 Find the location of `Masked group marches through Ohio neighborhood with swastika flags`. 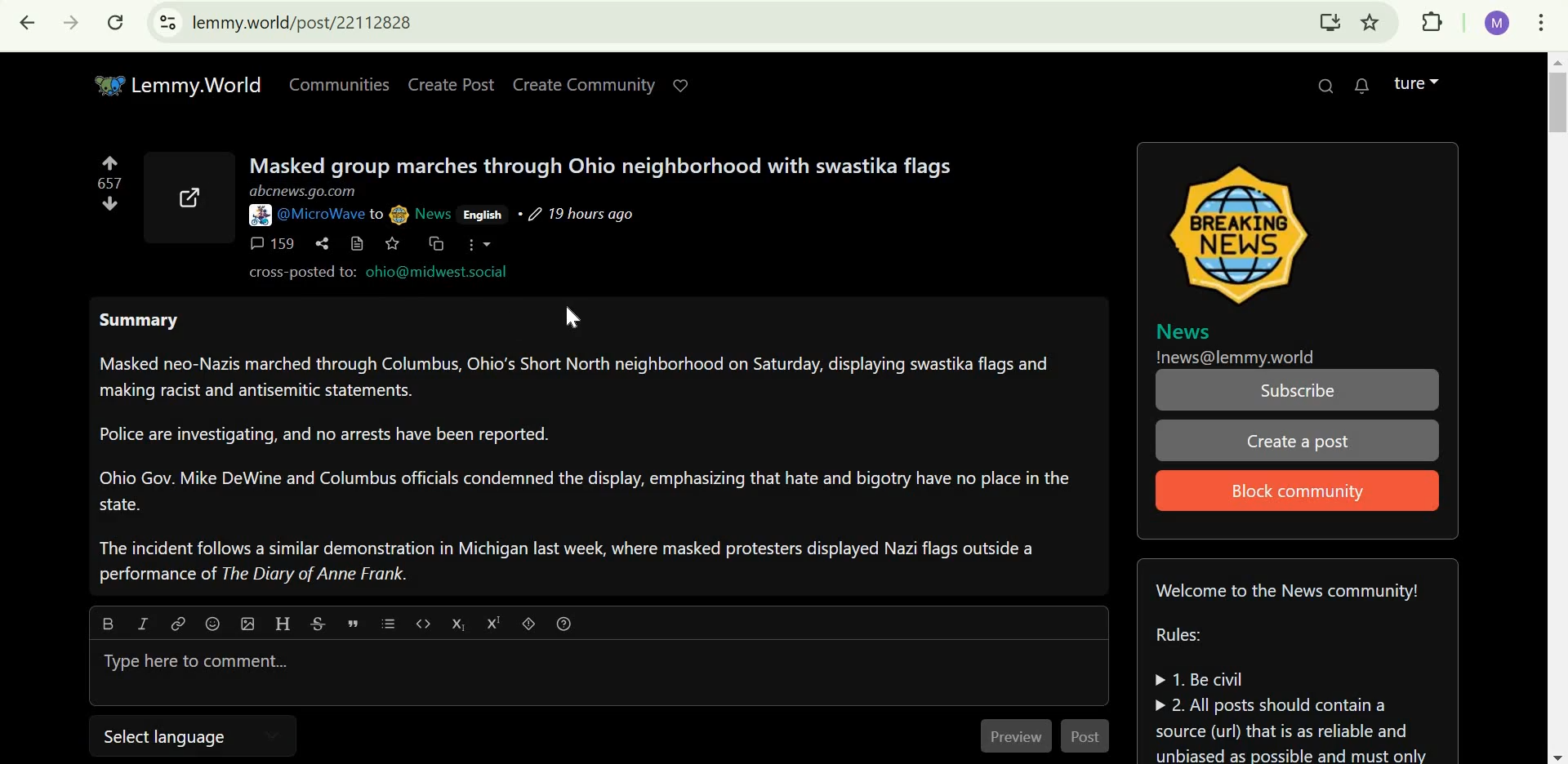

Masked group marches through Ohio neighborhood with swastika flags is located at coordinates (596, 168).